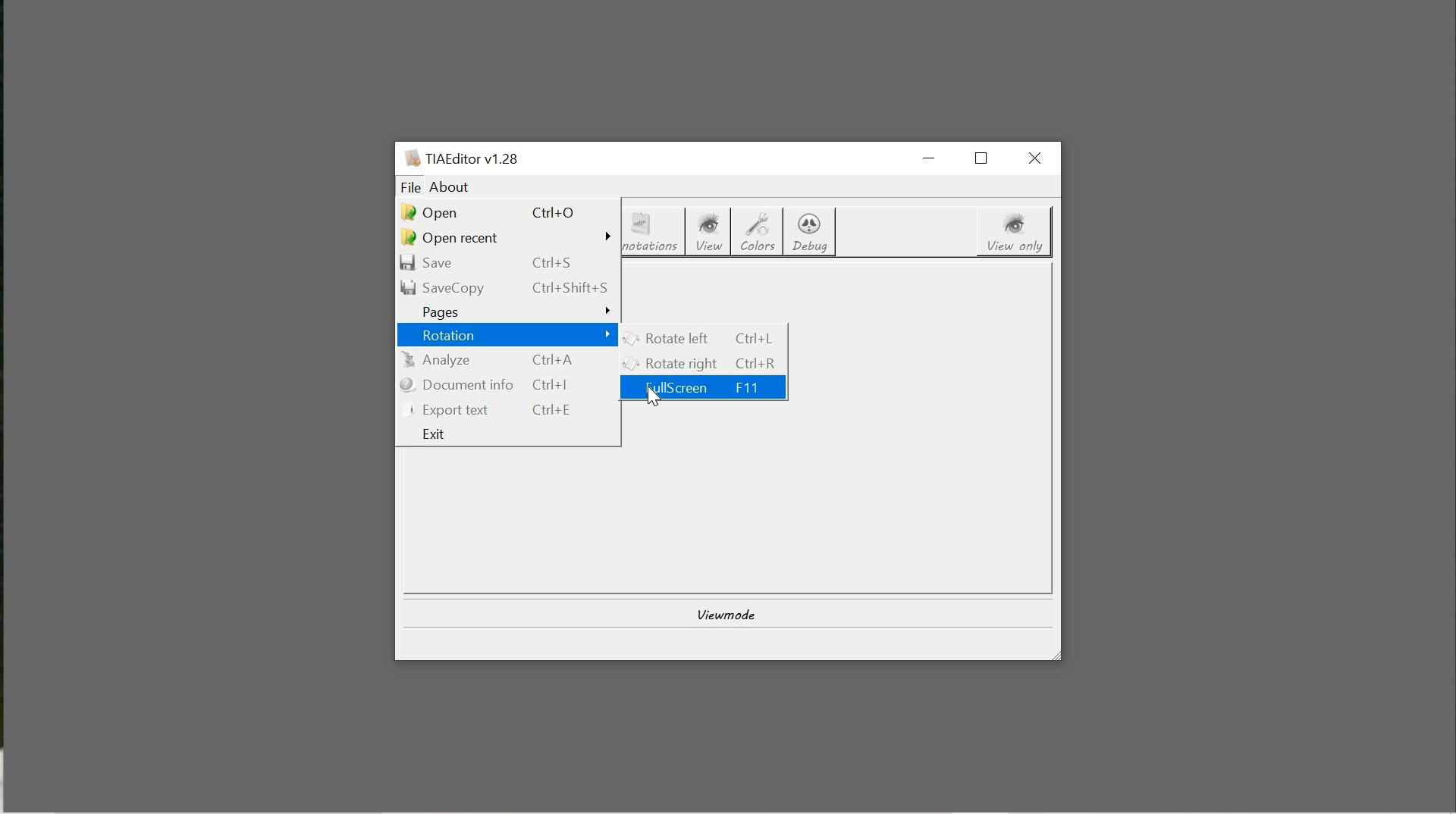 The width and height of the screenshot is (1456, 814). What do you see at coordinates (723, 612) in the screenshot?
I see `view mode` at bounding box center [723, 612].